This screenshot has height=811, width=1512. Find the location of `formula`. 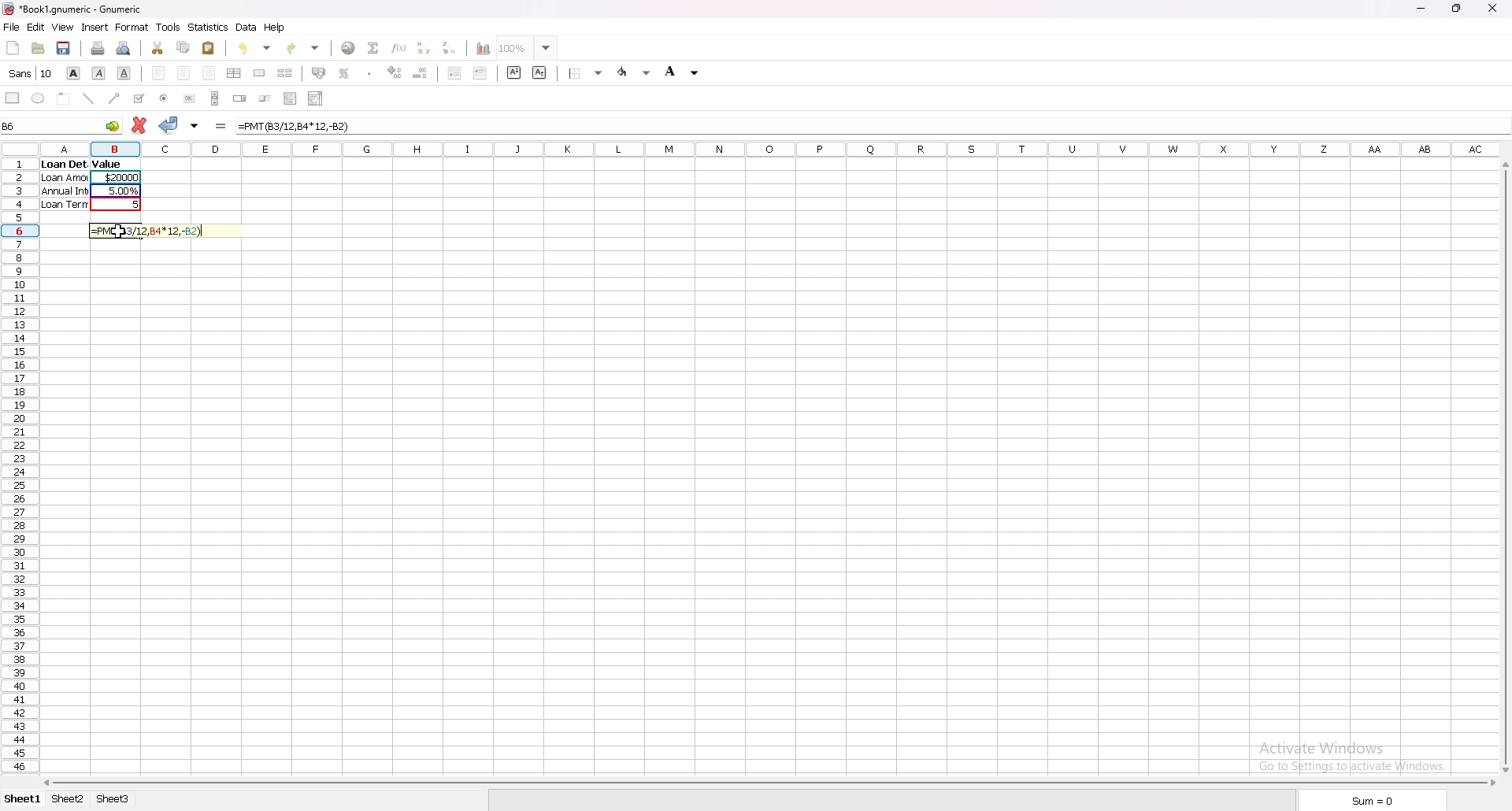

formula is located at coordinates (150, 230).